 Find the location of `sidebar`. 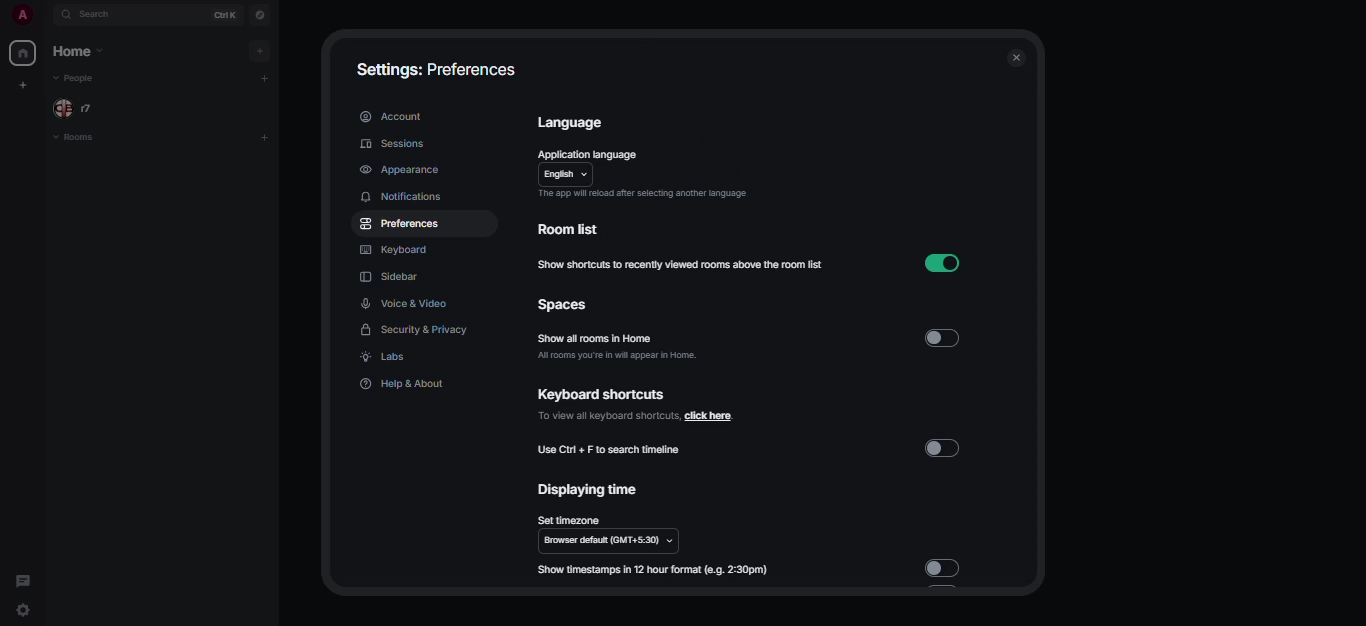

sidebar is located at coordinates (391, 278).